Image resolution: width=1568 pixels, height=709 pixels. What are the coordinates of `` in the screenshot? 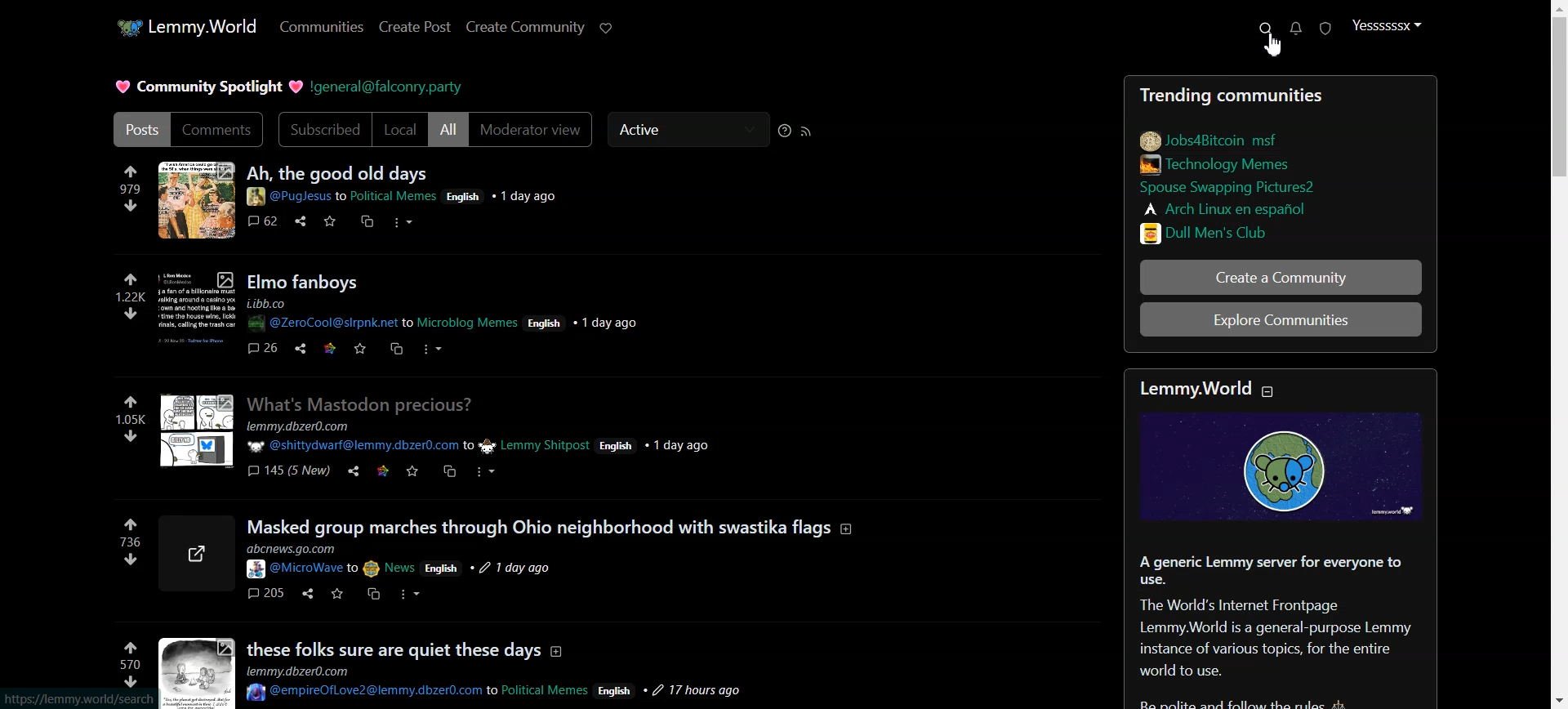 It's located at (440, 313).